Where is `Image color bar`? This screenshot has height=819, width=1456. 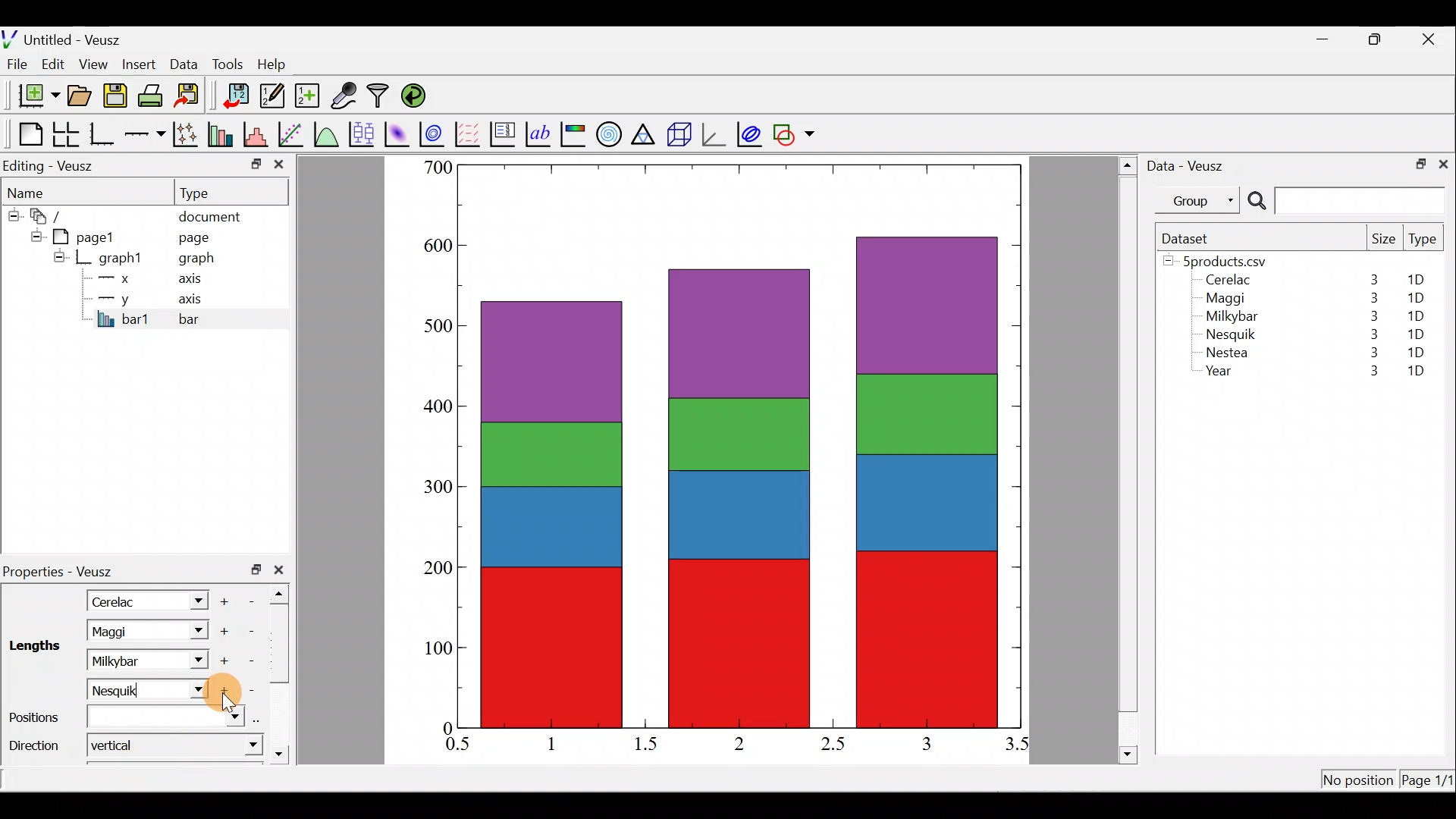 Image color bar is located at coordinates (574, 133).